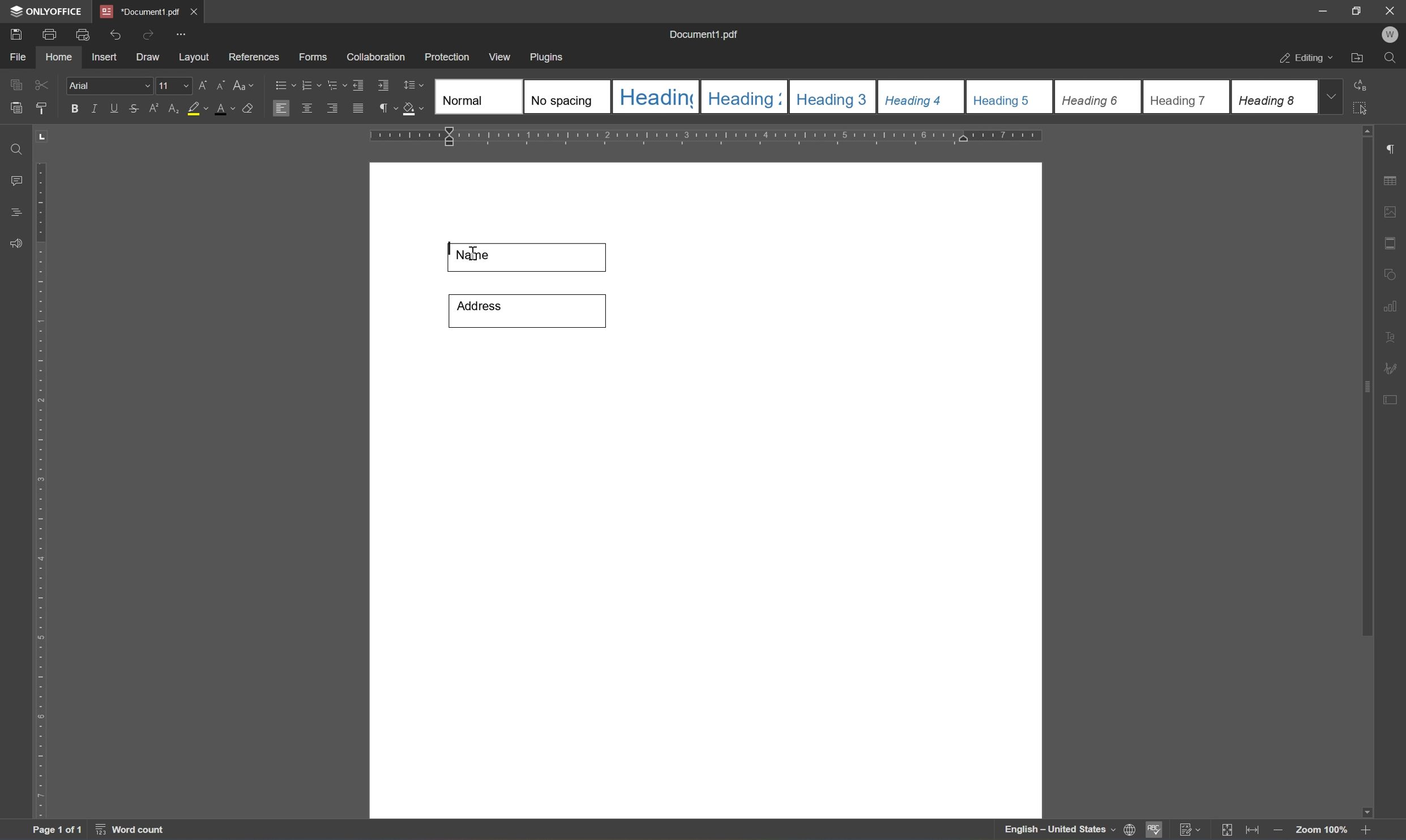  I want to click on feedback and support, so click(14, 243).